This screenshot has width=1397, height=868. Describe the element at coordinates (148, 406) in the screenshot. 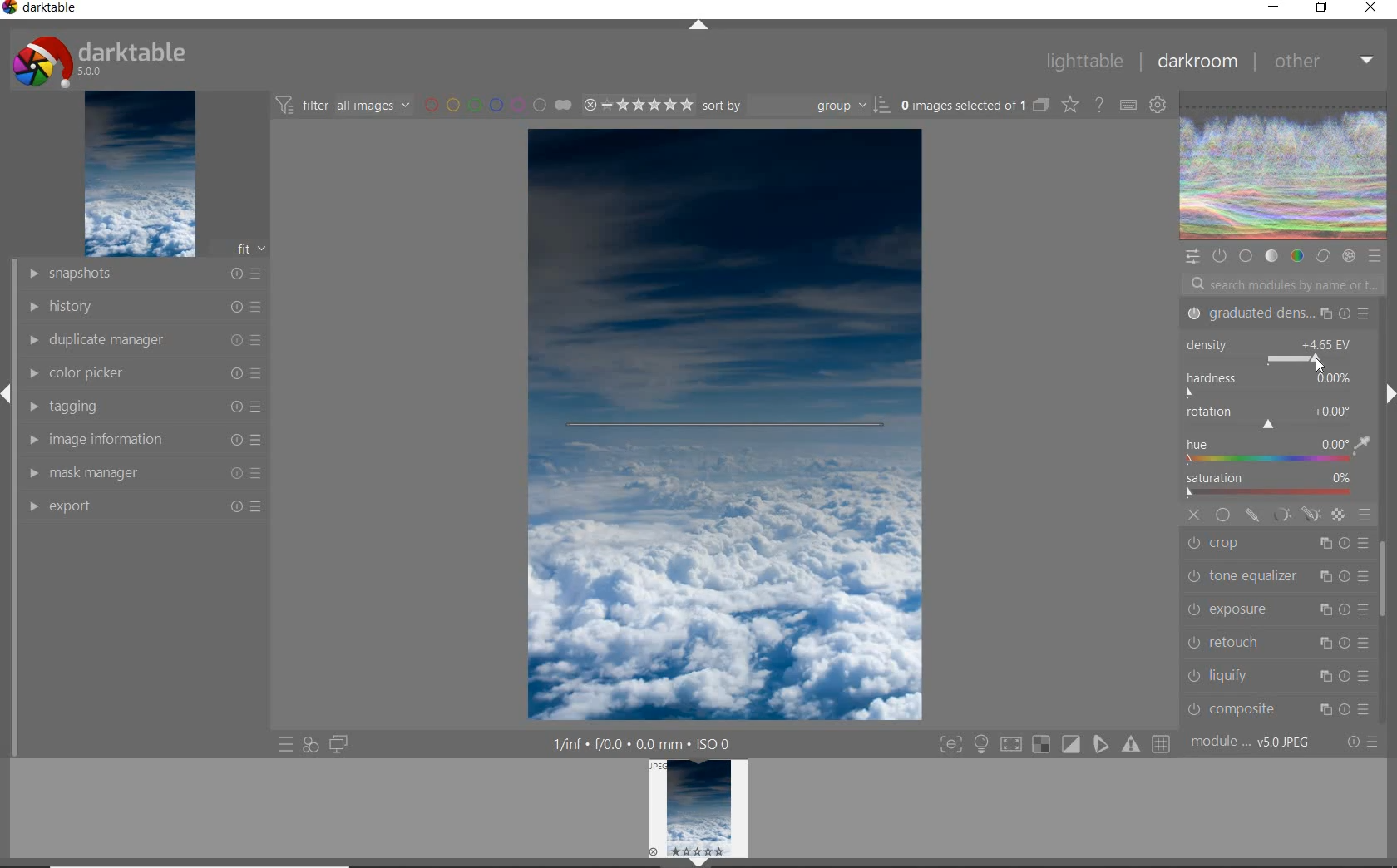

I see `TAGGING` at that location.